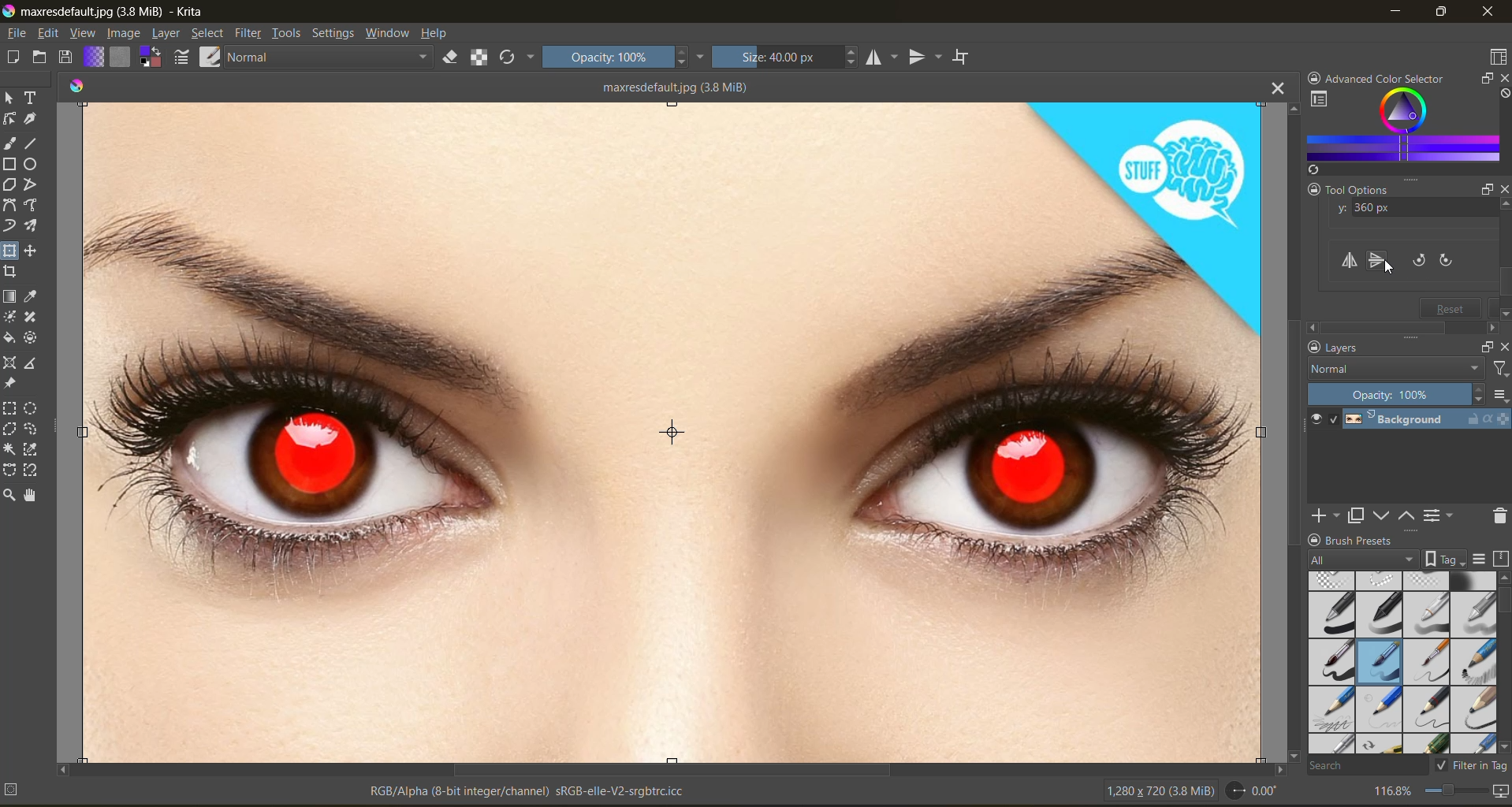 The width and height of the screenshot is (1512, 807). What do you see at coordinates (12, 364) in the screenshot?
I see `tool` at bounding box center [12, 364].